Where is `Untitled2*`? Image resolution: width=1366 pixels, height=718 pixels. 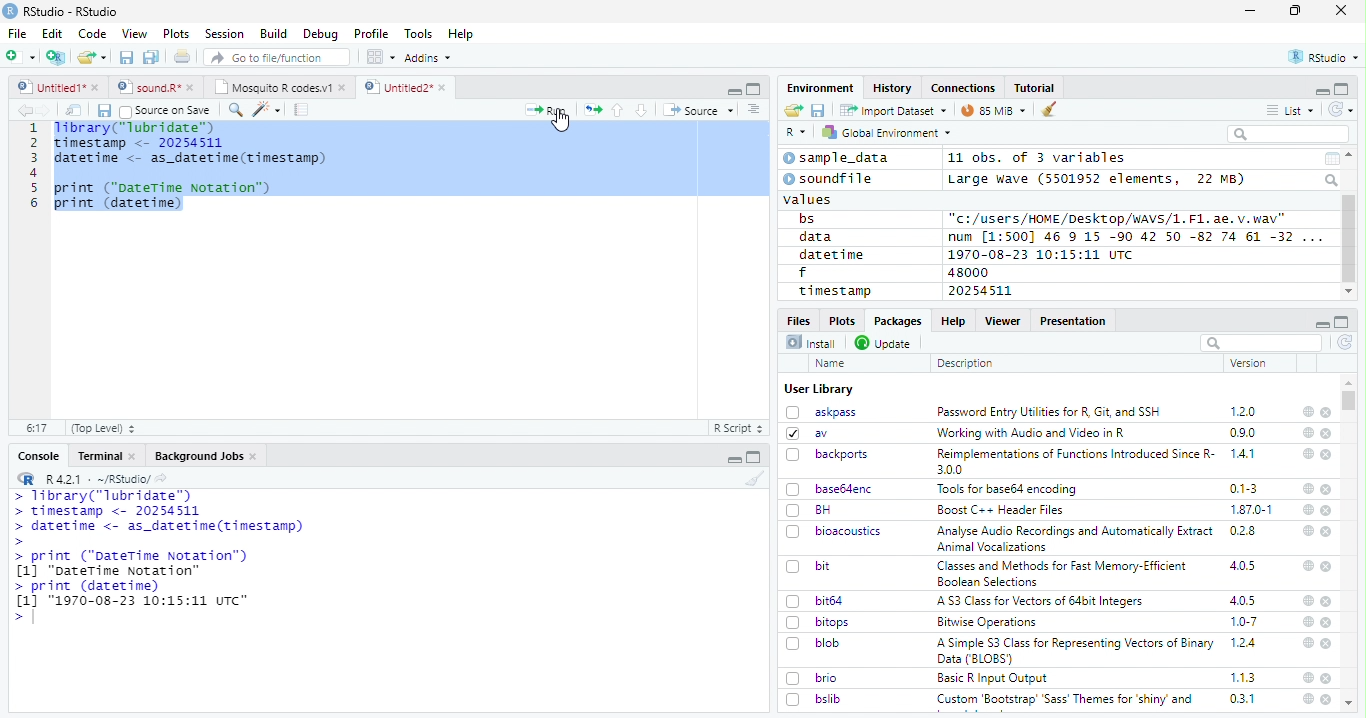
Untitled2* is located at coordinates (409, 88).